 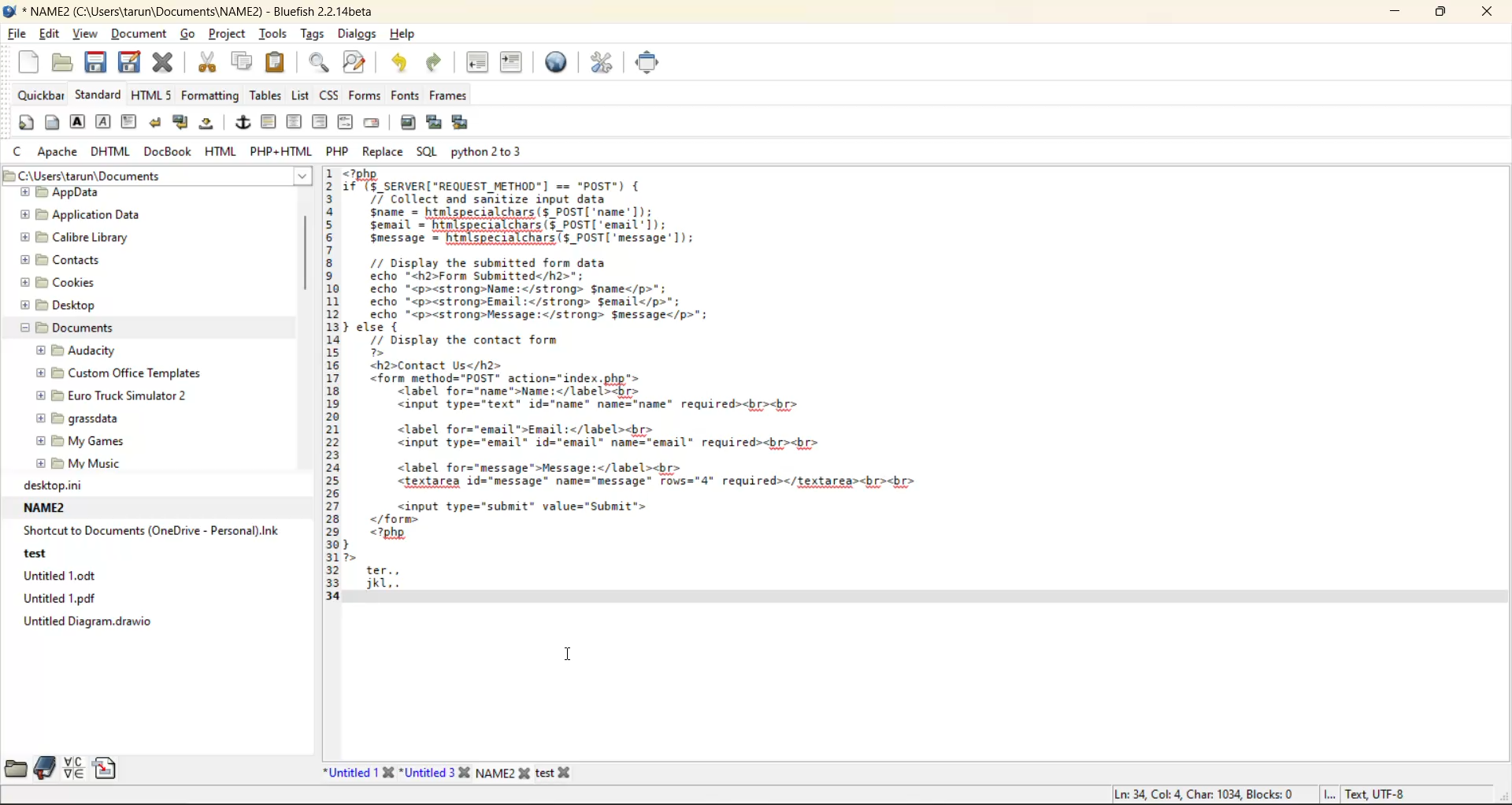 What do you see at coordinates (210, 64) in the screenshot?
I see `cut` at bounding box center [210, 64].